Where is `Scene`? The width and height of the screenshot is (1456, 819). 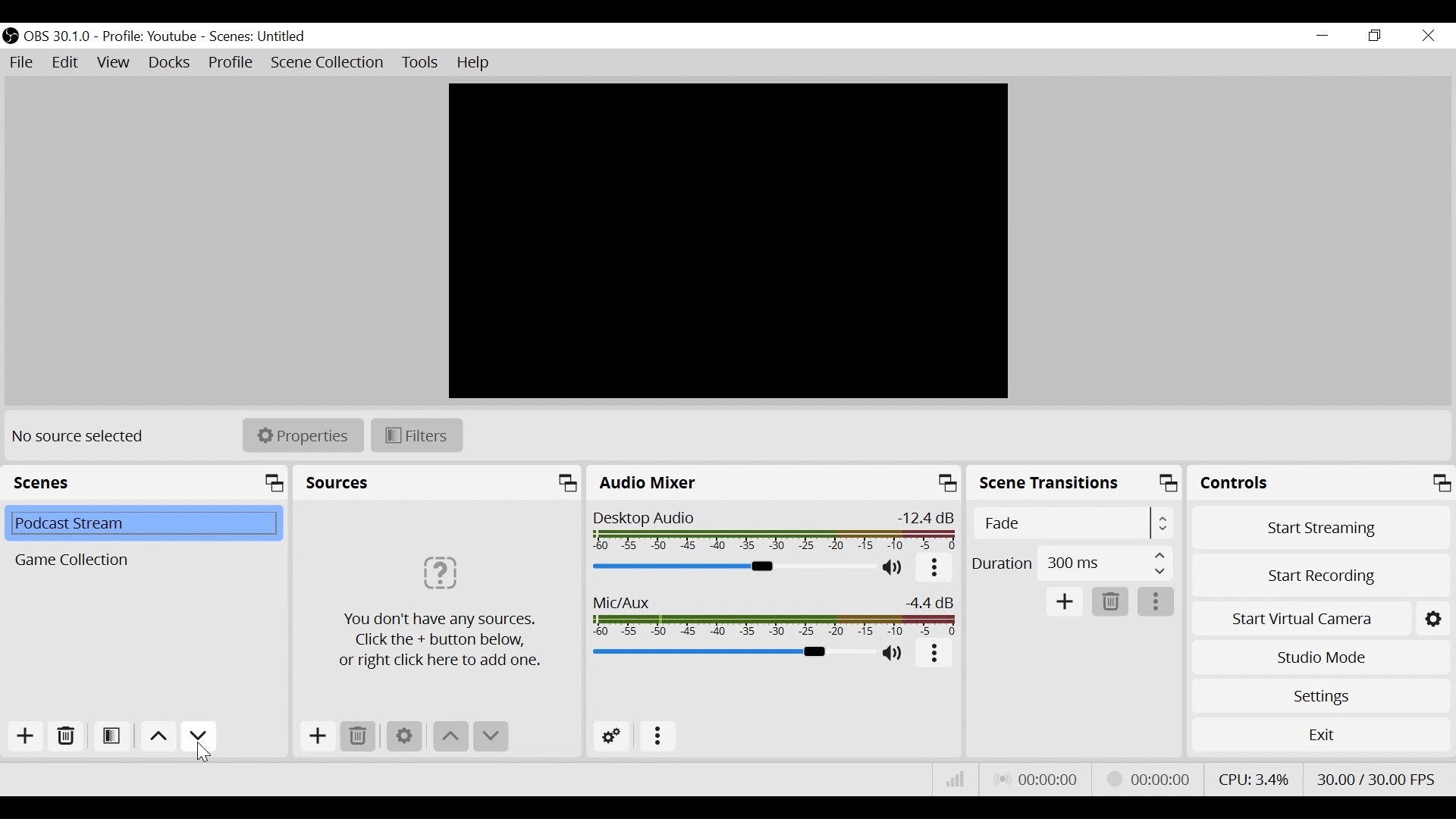
Scene is located at coordinates (140, 522).